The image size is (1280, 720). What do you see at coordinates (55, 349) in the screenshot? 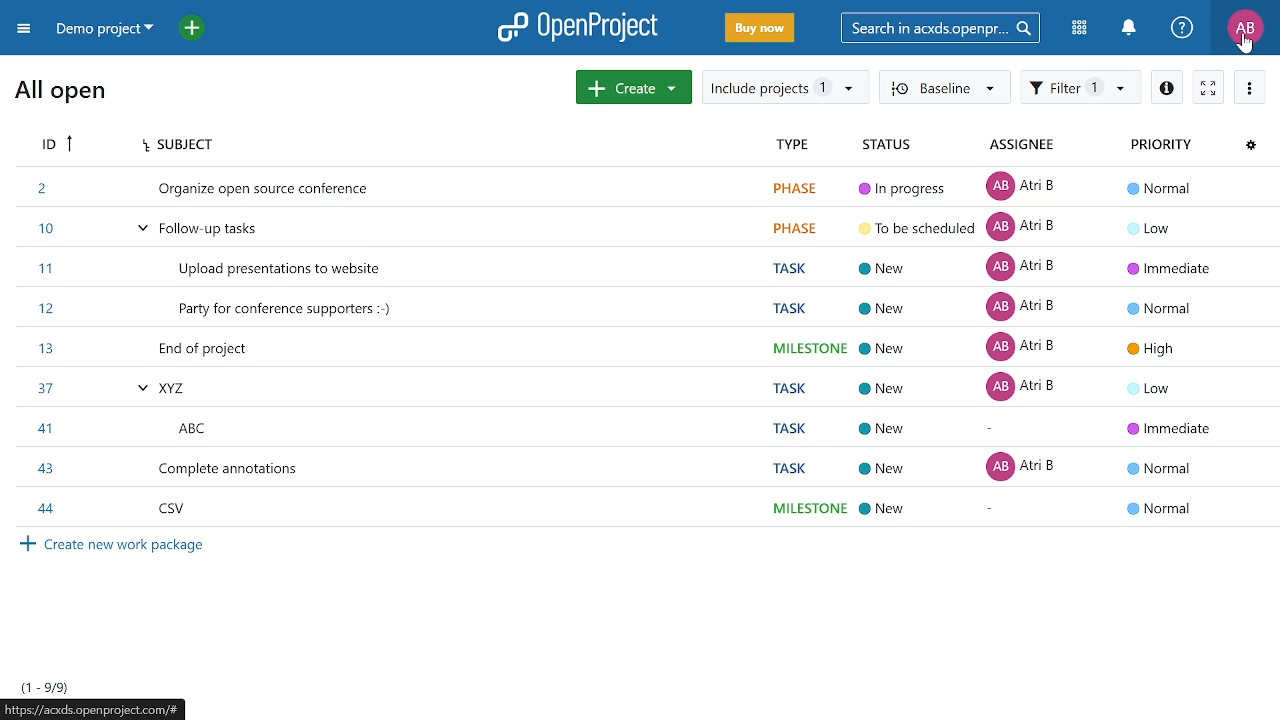
I see `task numbers/ID` at bounding box center [55, 349].